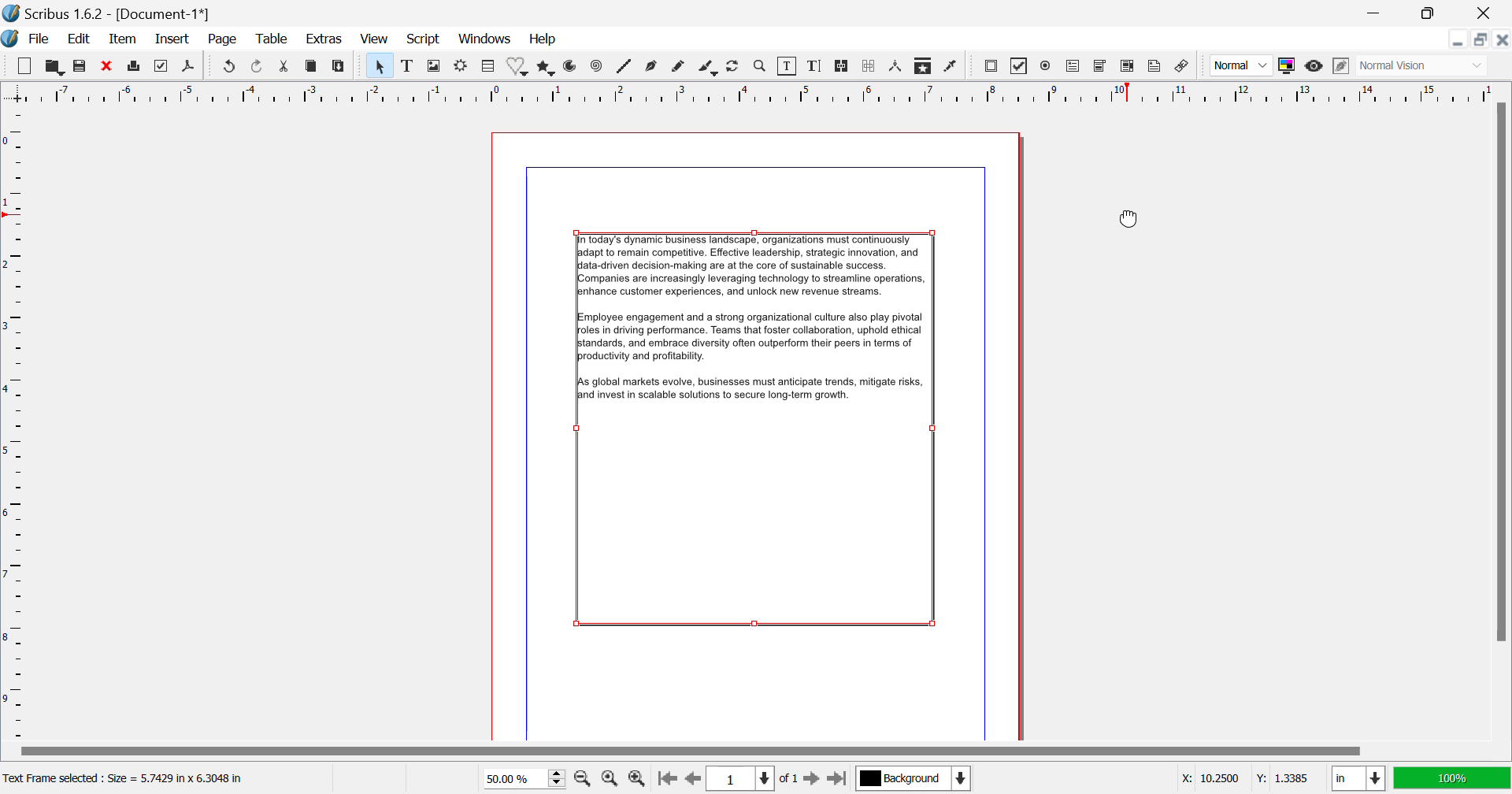  I want to click on Help, so click(543, 39).